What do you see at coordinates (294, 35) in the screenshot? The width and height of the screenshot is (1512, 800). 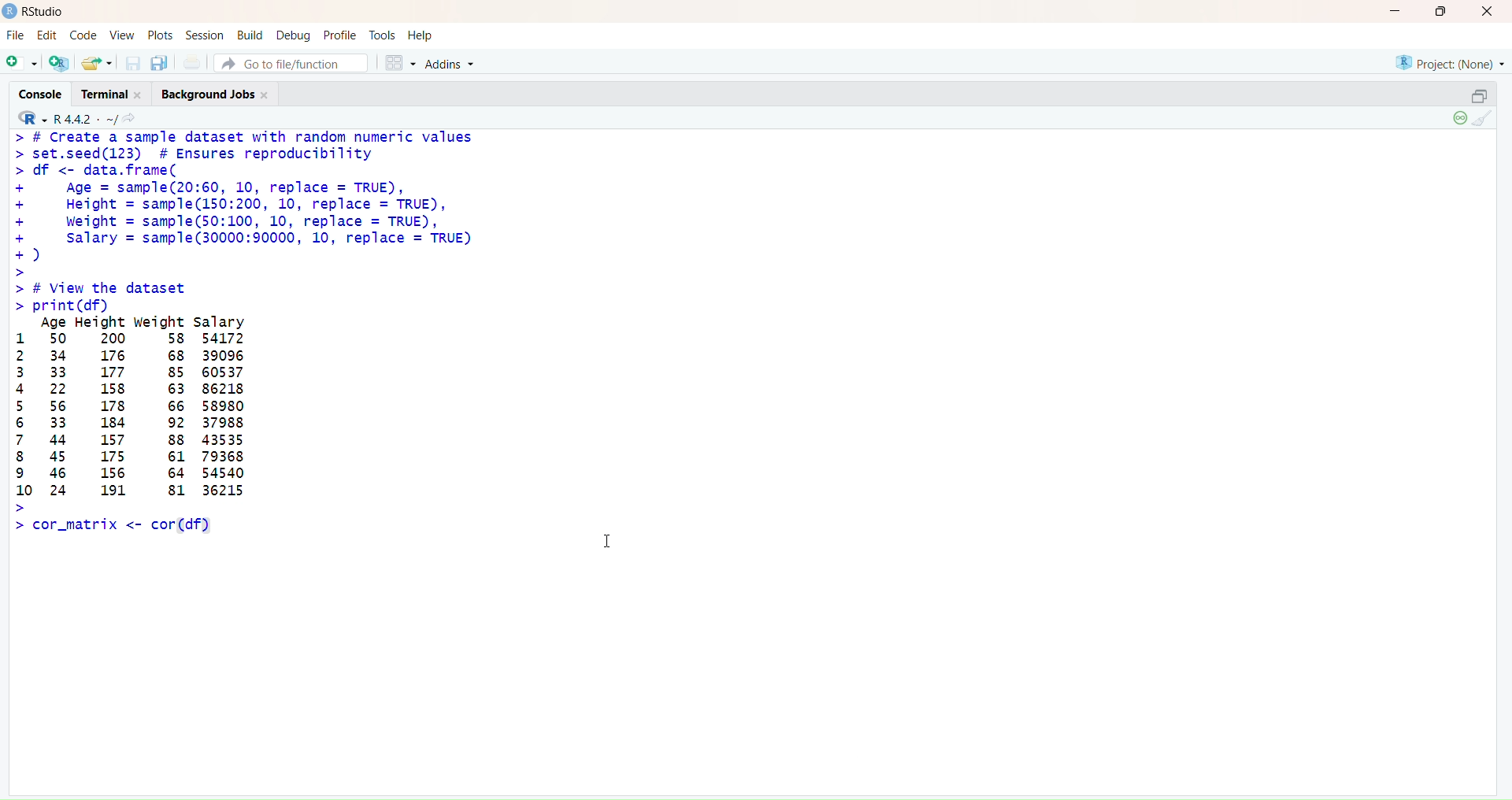 I see `Debug` at bounding box center [294, 35].